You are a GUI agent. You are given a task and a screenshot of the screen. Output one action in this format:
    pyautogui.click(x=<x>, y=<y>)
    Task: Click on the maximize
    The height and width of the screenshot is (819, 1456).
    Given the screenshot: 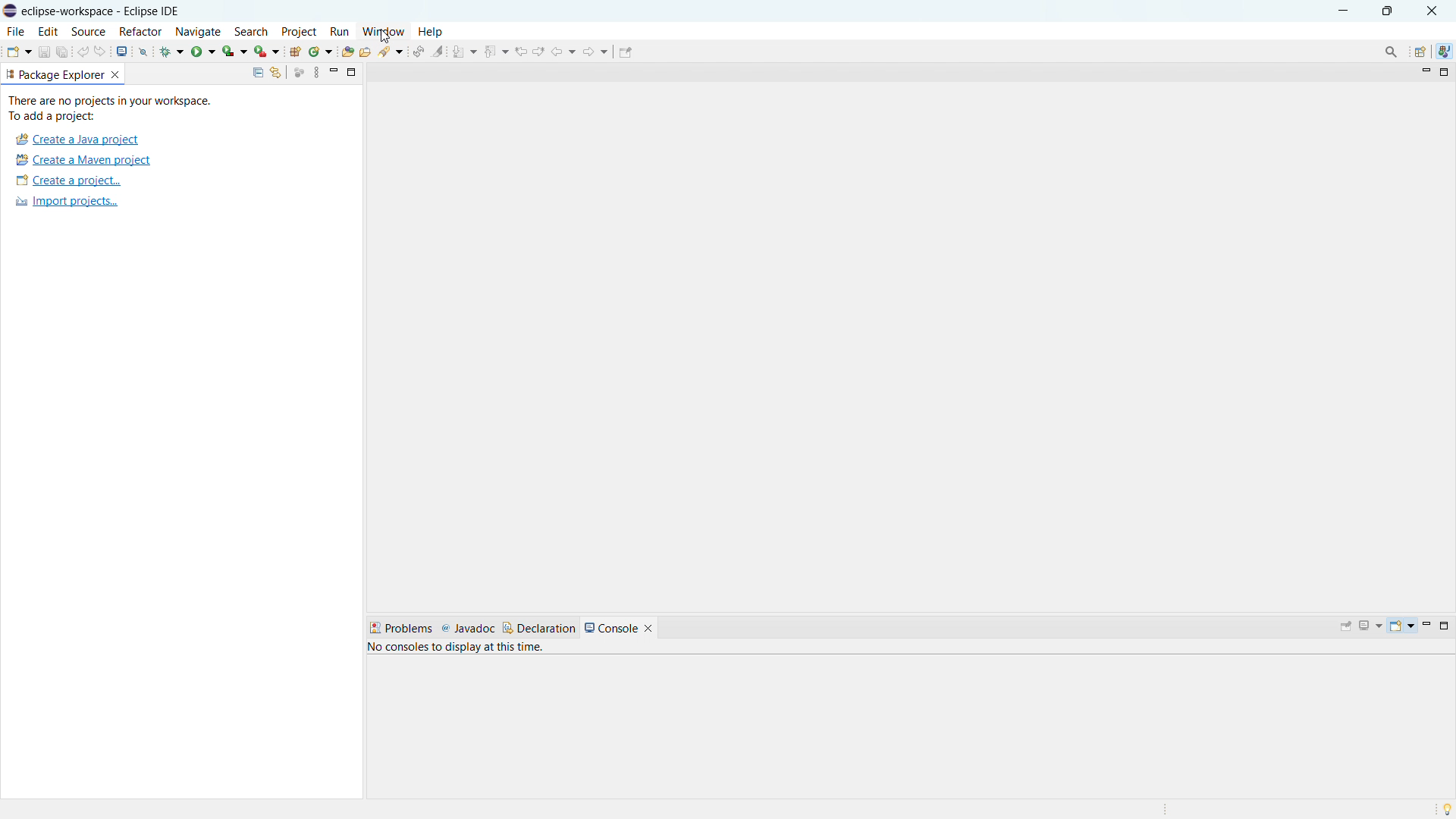 What is the action you would take?
    pyautogui.click(x=1445, y=71)
    